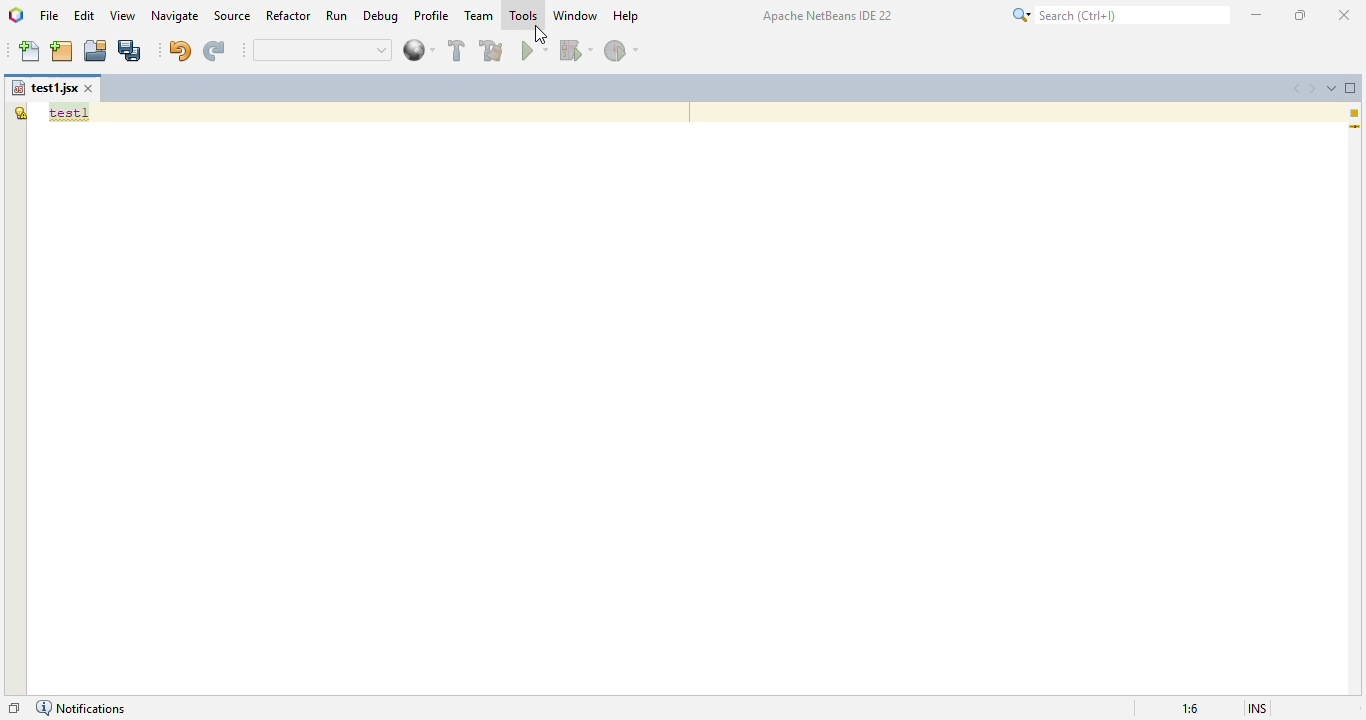  I want to click on save all, so click(131, 50).